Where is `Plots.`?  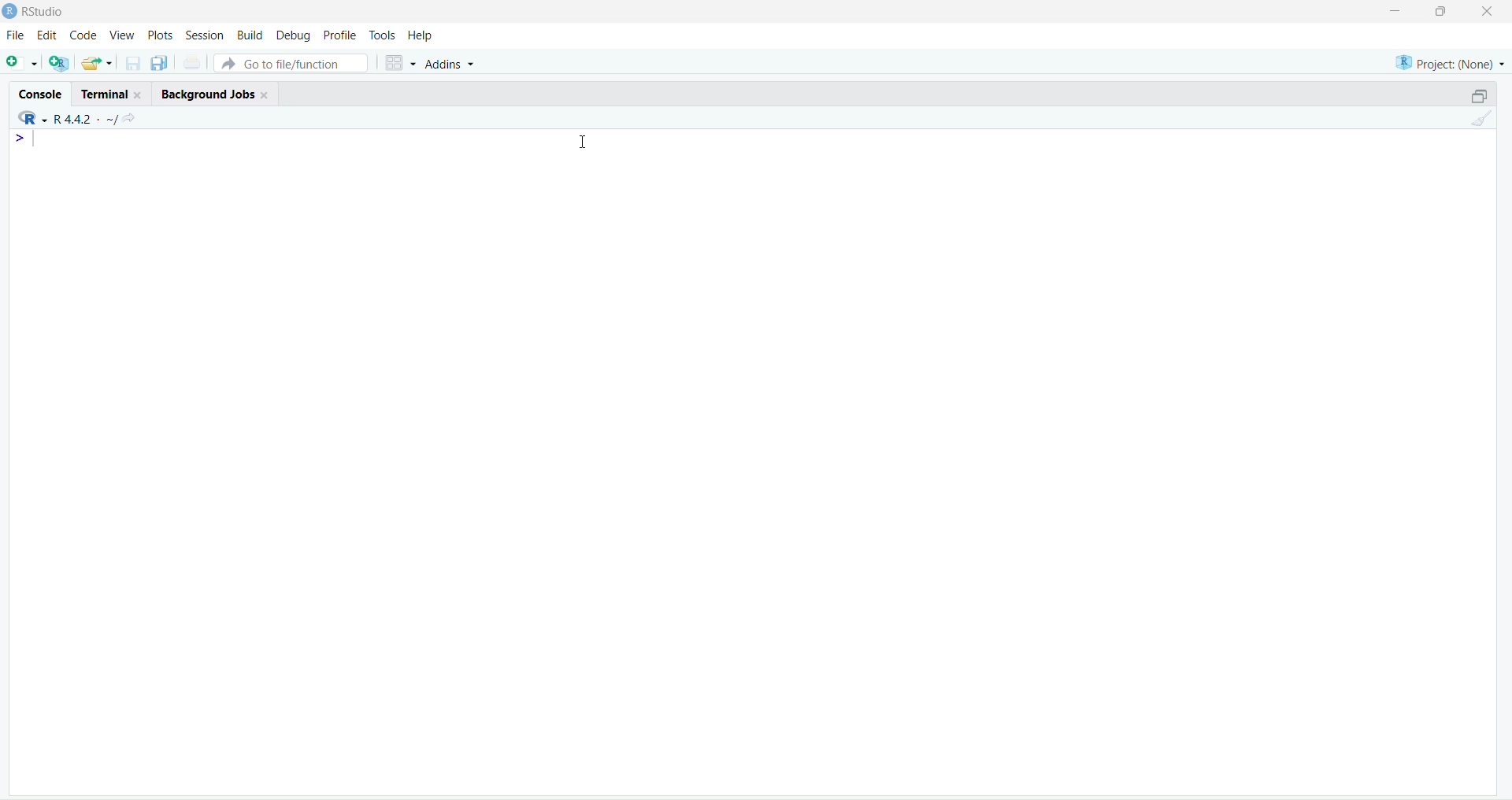 Plots. is located at coordinates (161, 35).